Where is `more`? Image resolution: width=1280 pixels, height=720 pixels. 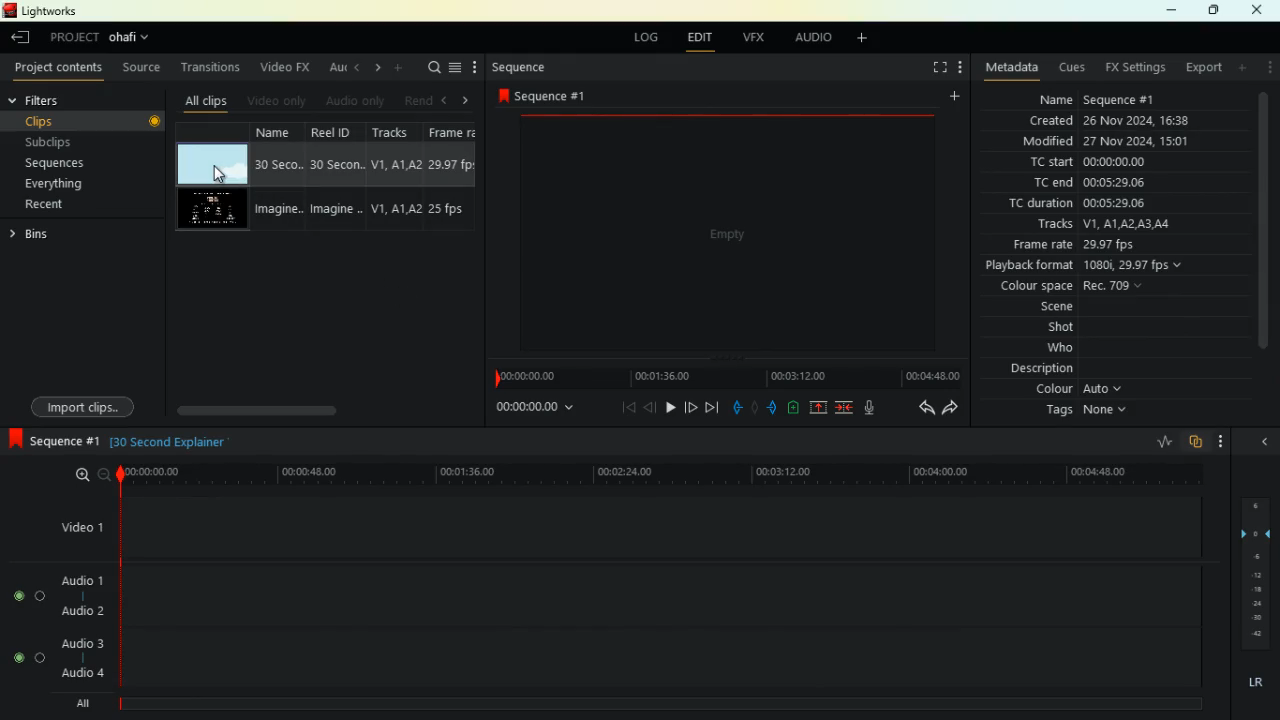 more is located at coordinates (1266, 69).